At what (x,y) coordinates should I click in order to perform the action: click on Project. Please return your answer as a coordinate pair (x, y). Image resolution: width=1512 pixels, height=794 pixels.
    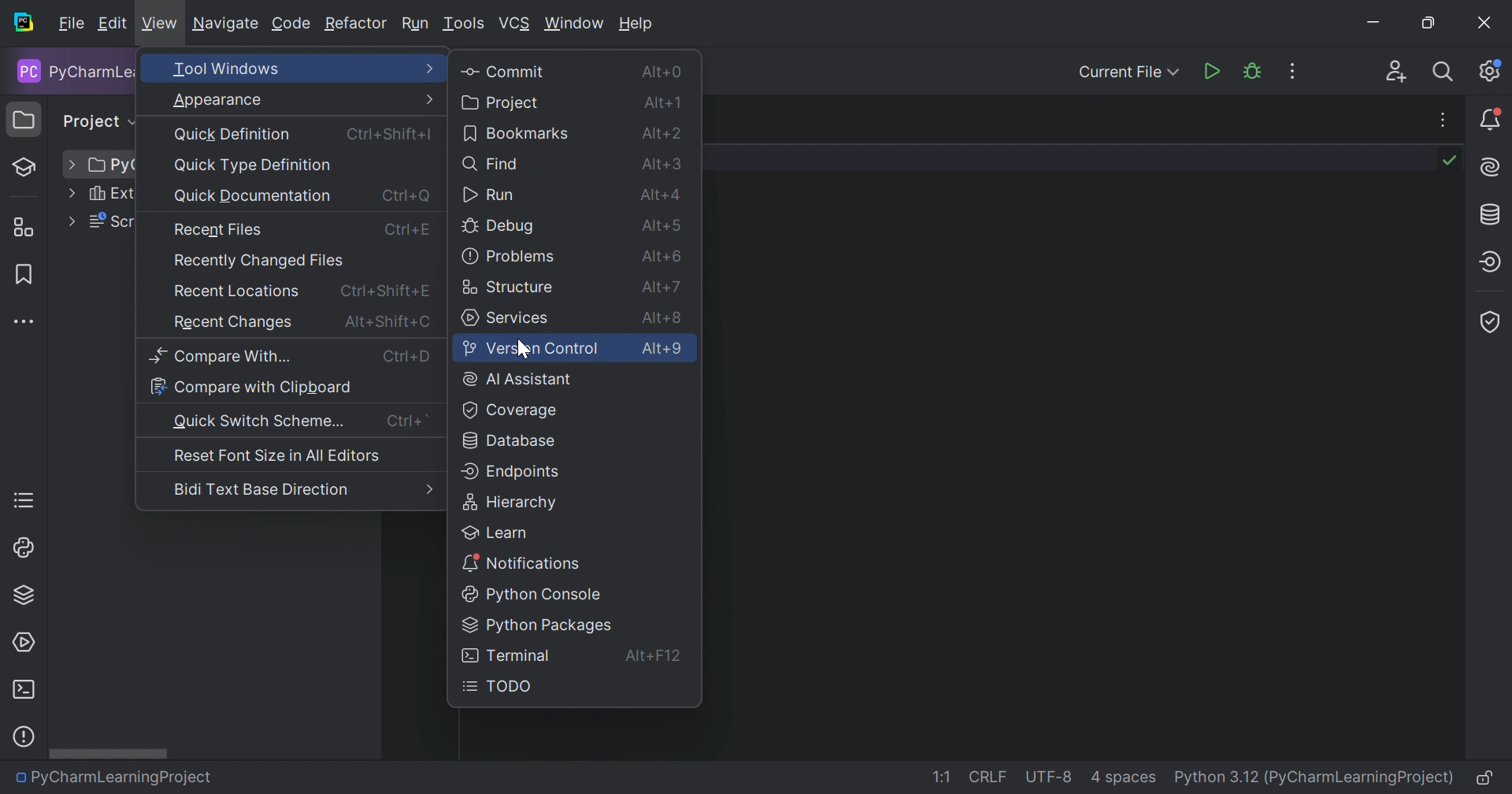
    Looking at the image, I should click on (26, 118).